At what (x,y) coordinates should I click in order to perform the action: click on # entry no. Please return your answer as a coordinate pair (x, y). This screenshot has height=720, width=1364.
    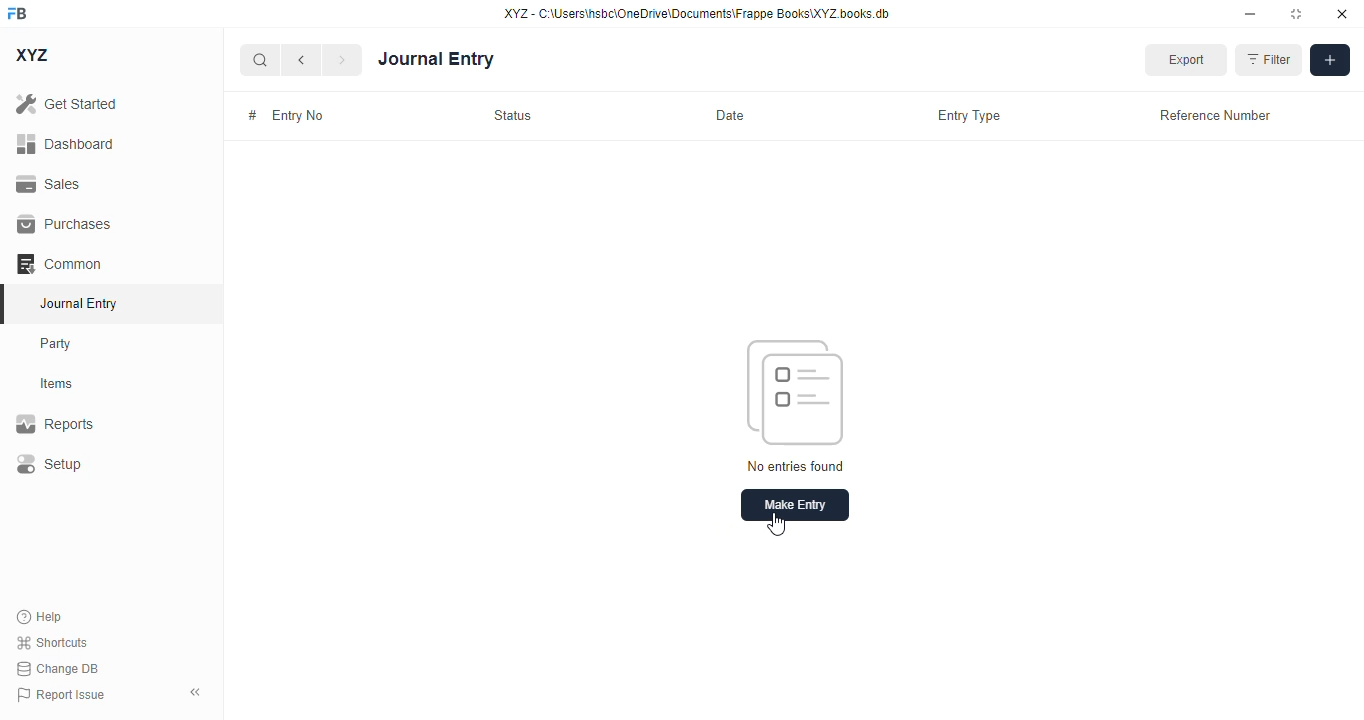
    Looking at the image, I should click on (287, 114).